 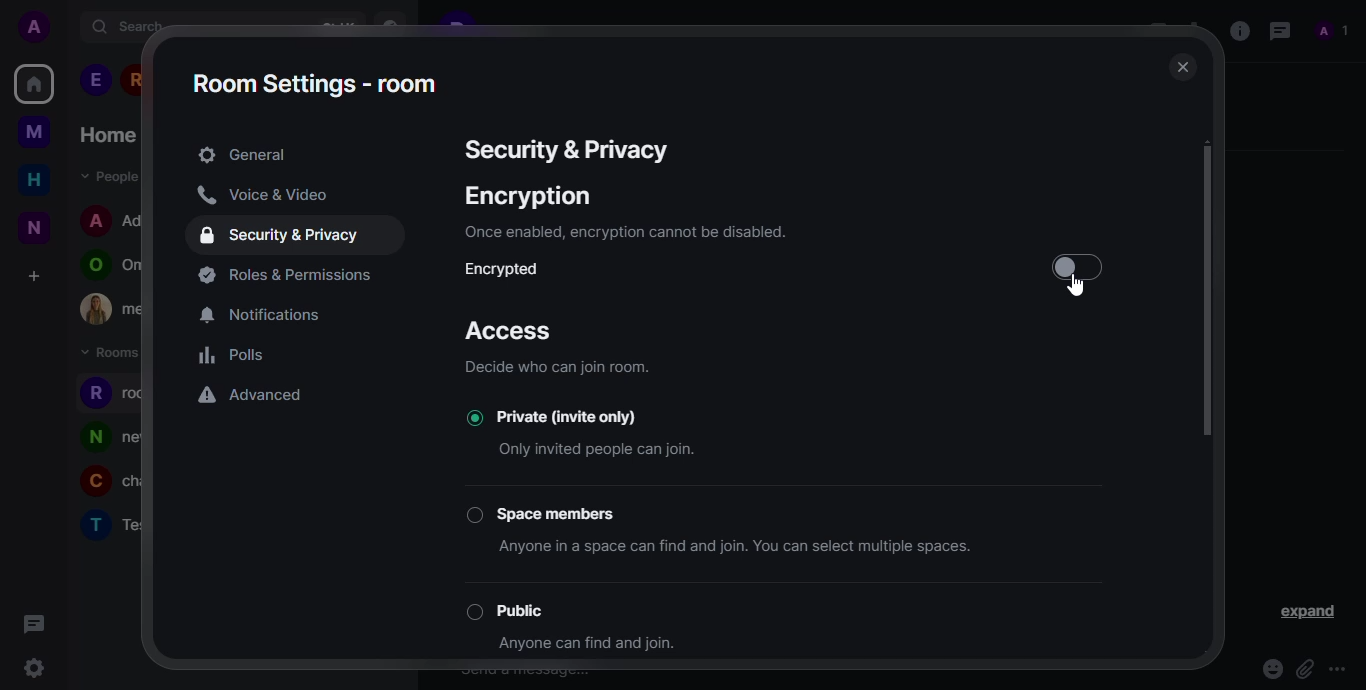 What do you see at coordinates (35, 276) in the screenshot?
I see `create a space` at bounding box center [35, 276].